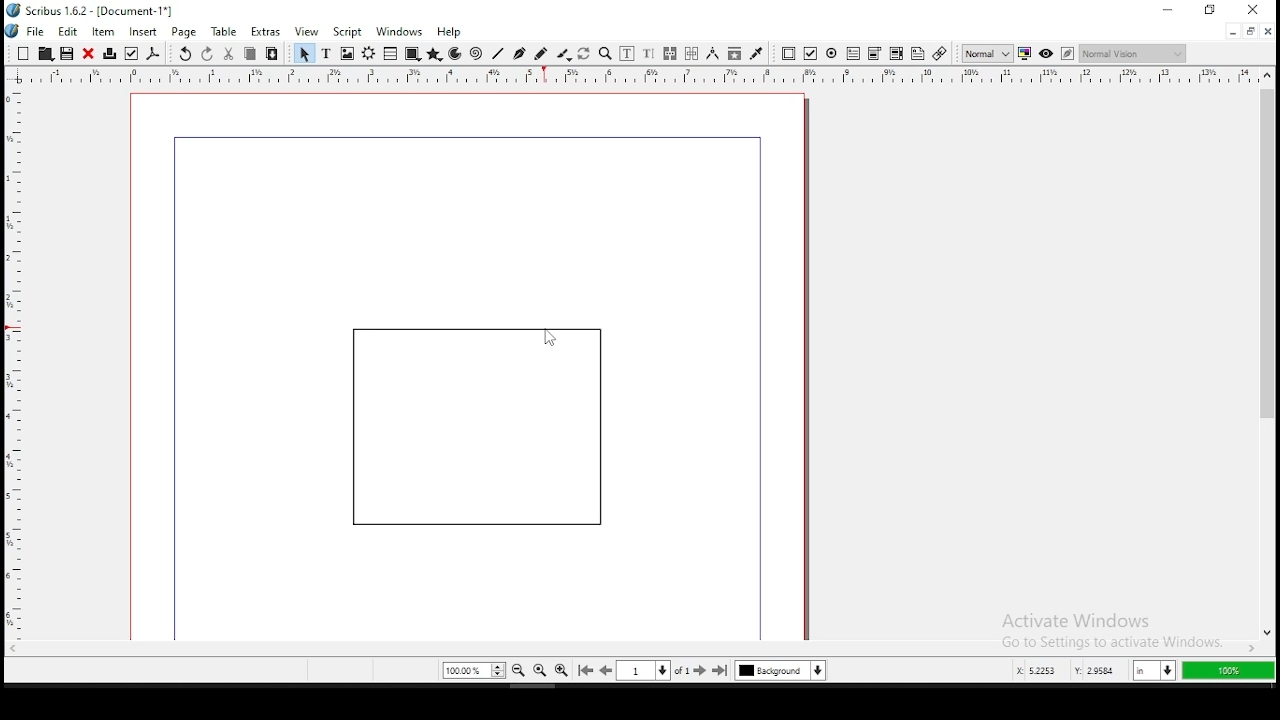 The width and height of the screenshot is (1280, 720). Describe the element at coordinates (564, 54) in the screenshot. I see `calligraphy line` at that location.